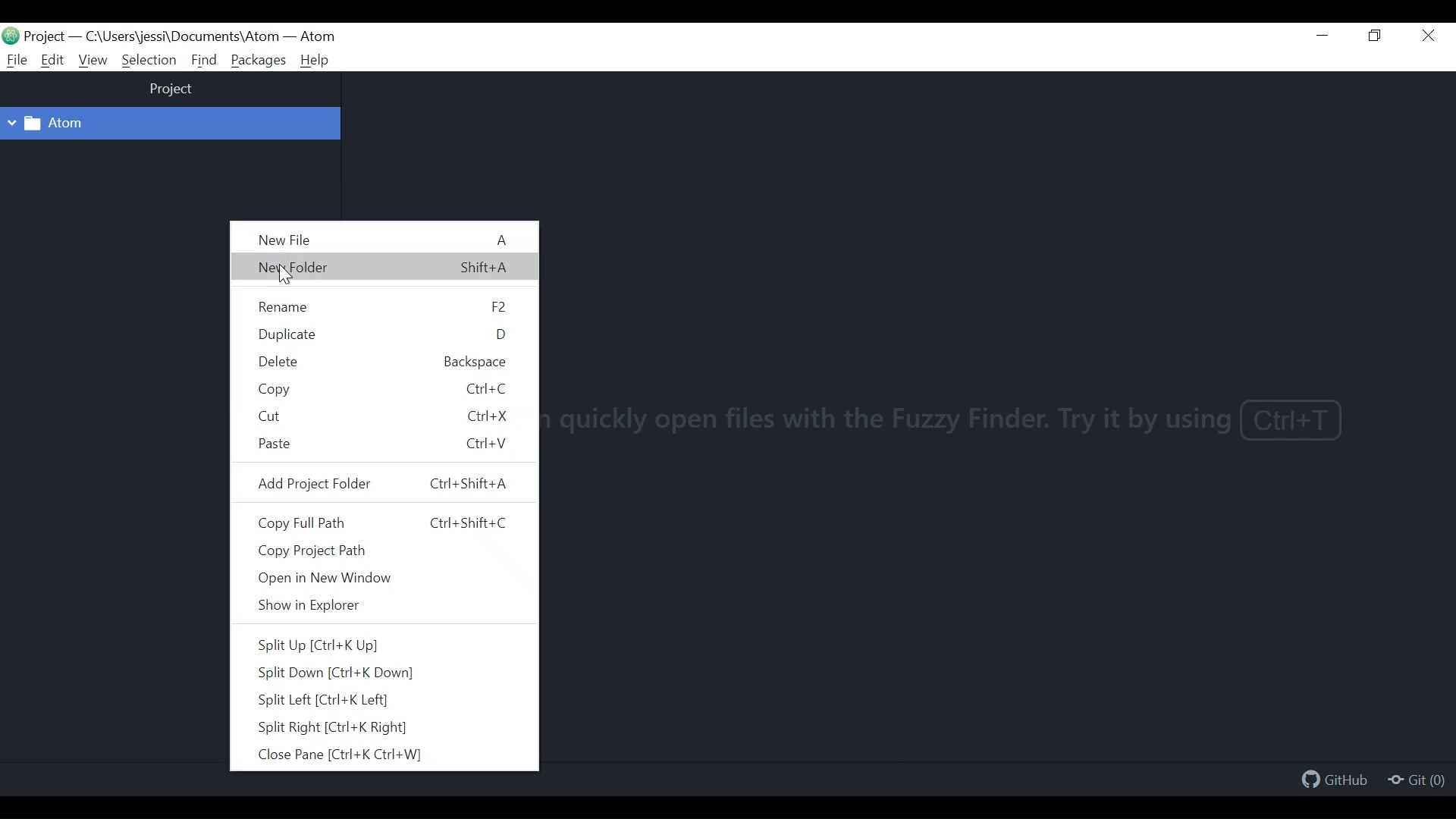 The height and width of the screenshot is (819, 1456). What do you see at coordinates (325, 579) in the screenshot?
I see `Open in New Window` at bounding box center [325, 579].